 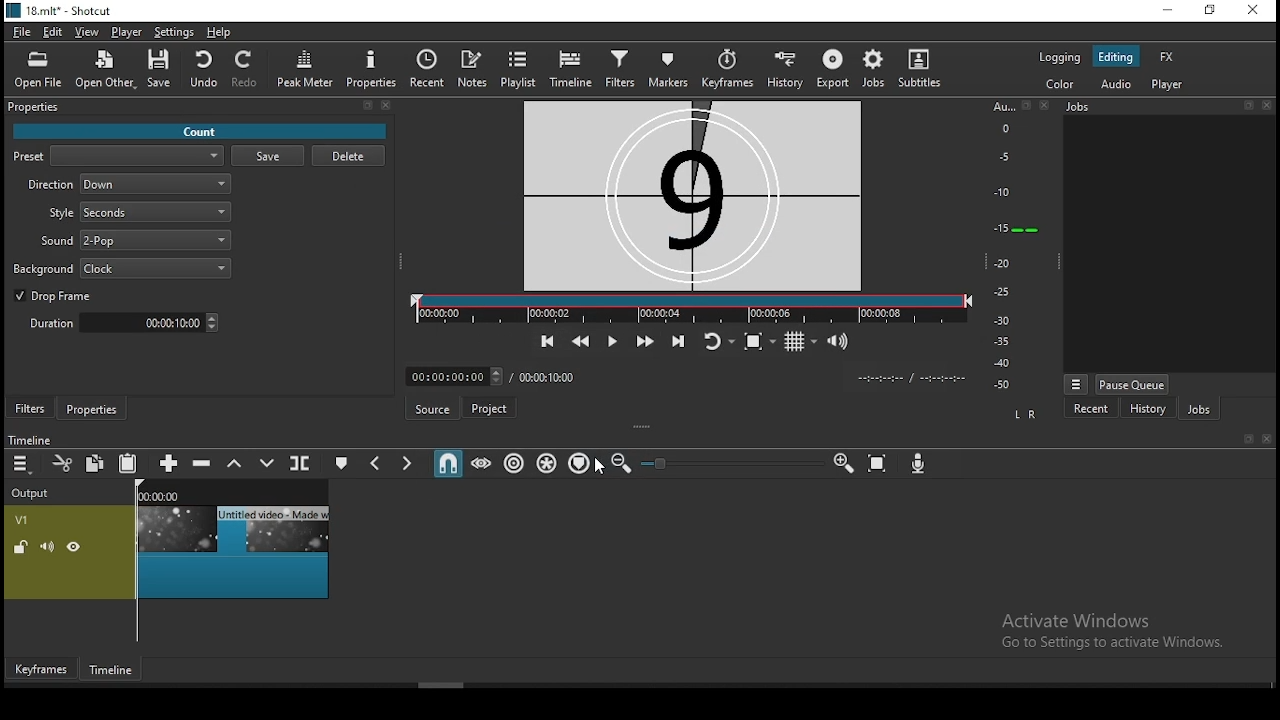 What do you see at coordinates (581, 341) in the screenshot?
I see `play quickly backward` at bounding box center [581, 341].